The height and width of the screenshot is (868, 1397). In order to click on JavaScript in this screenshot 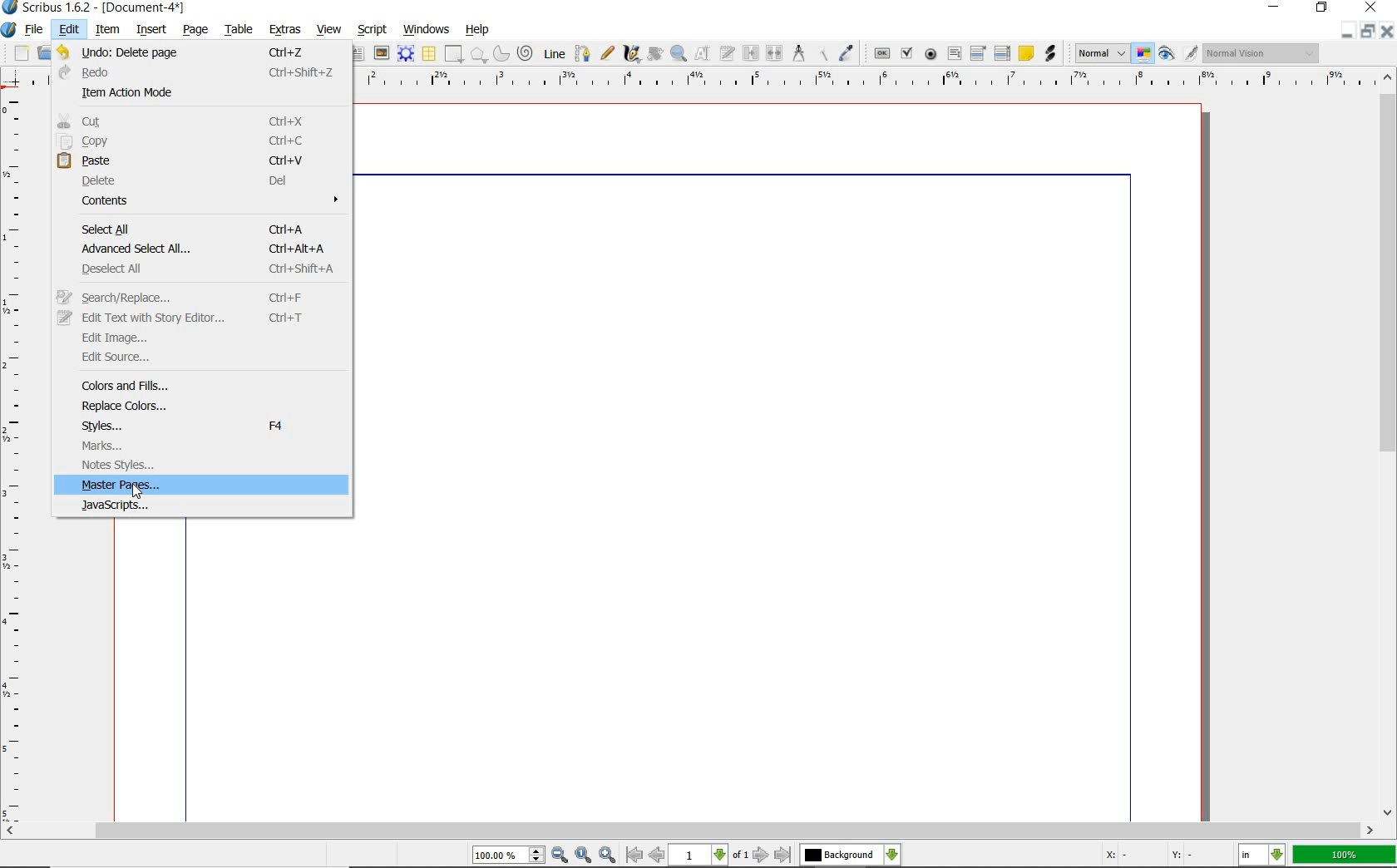, I will do `click(204, 506)`.